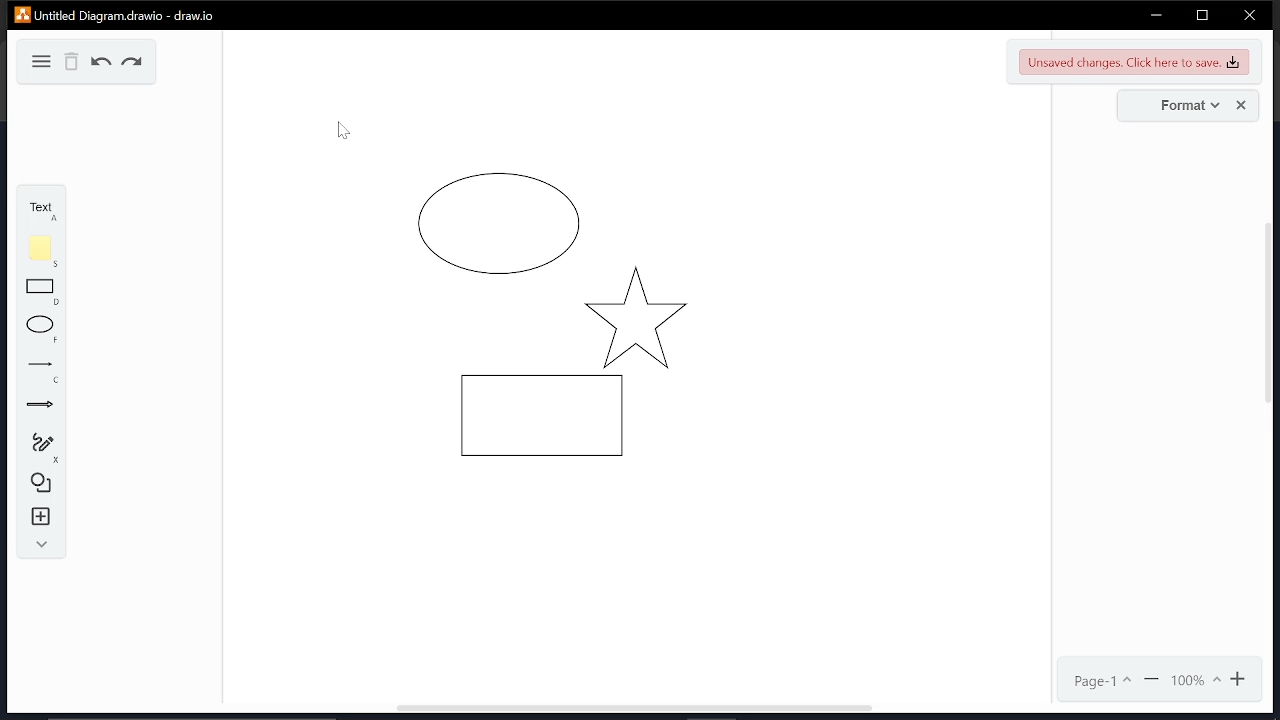  What do you see at coordinates (1242, 105) in the screenshot?
I see `close` at bounding box center [1242, 105].